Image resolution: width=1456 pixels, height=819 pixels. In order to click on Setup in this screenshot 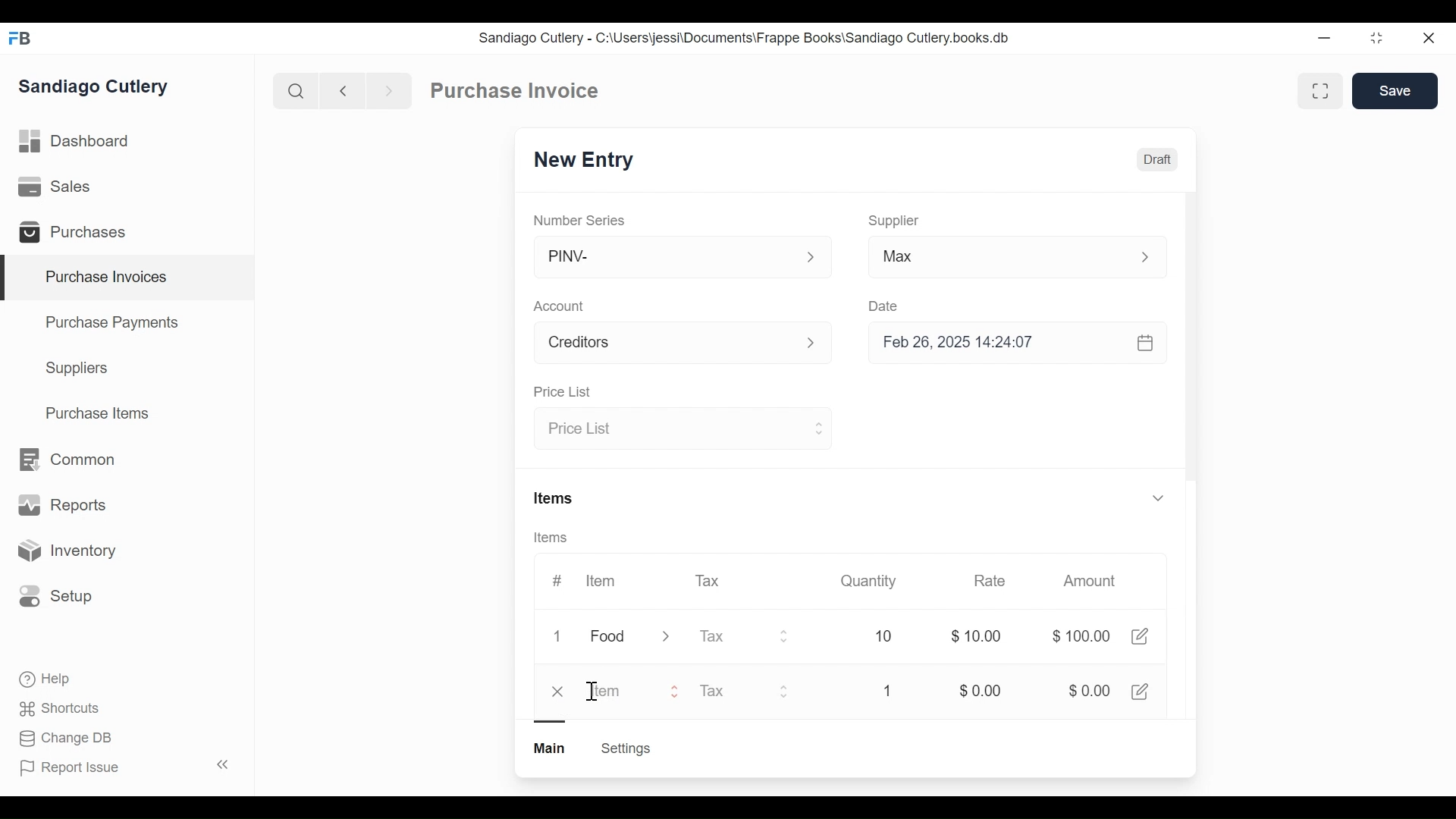, I will do `click(56, 595)`.